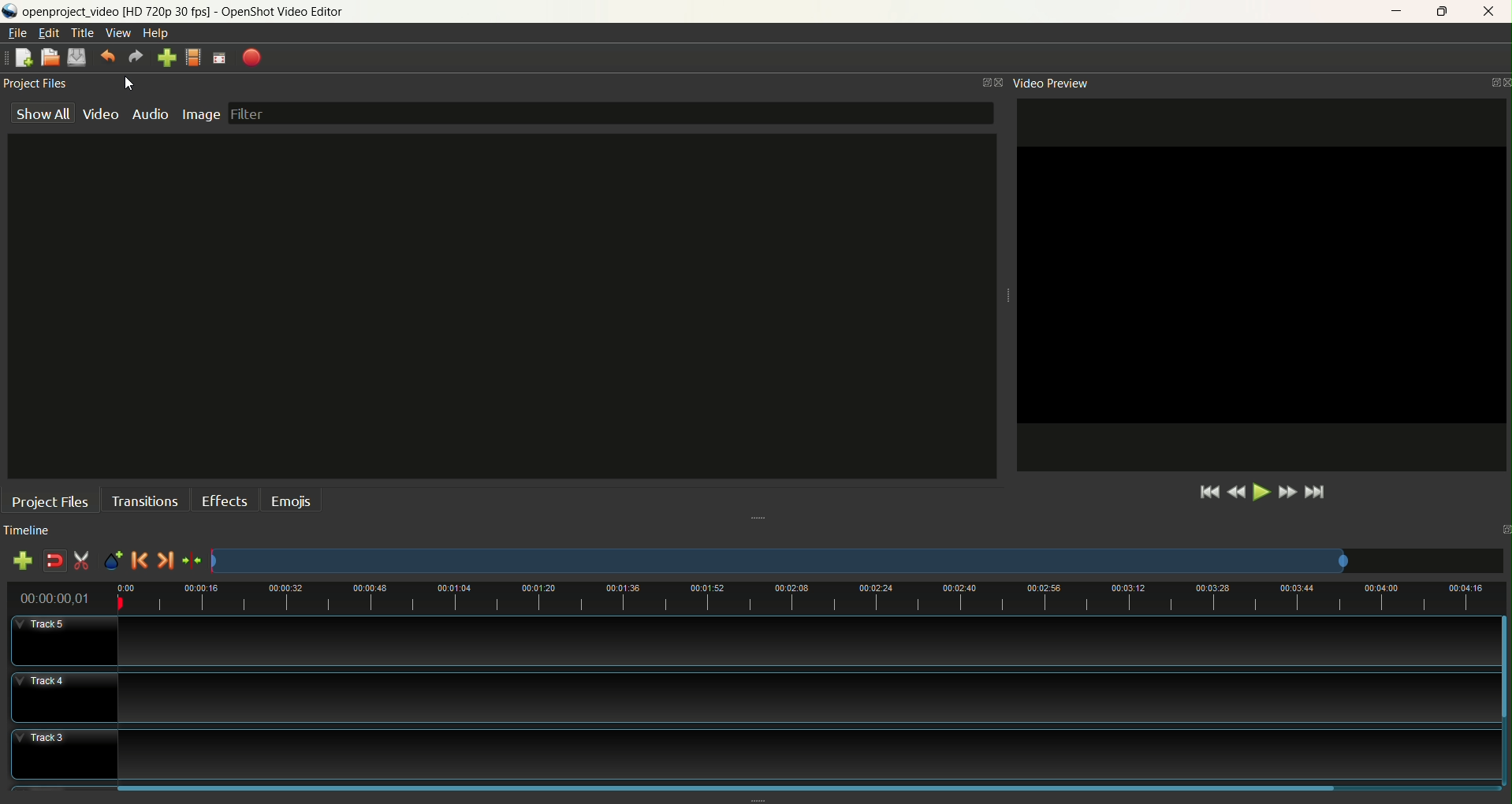 The image size is (1512, 804). What do you see at coordinates (42, 113) in the screenshot?
I see `show all` at bounding box center [42, 113].